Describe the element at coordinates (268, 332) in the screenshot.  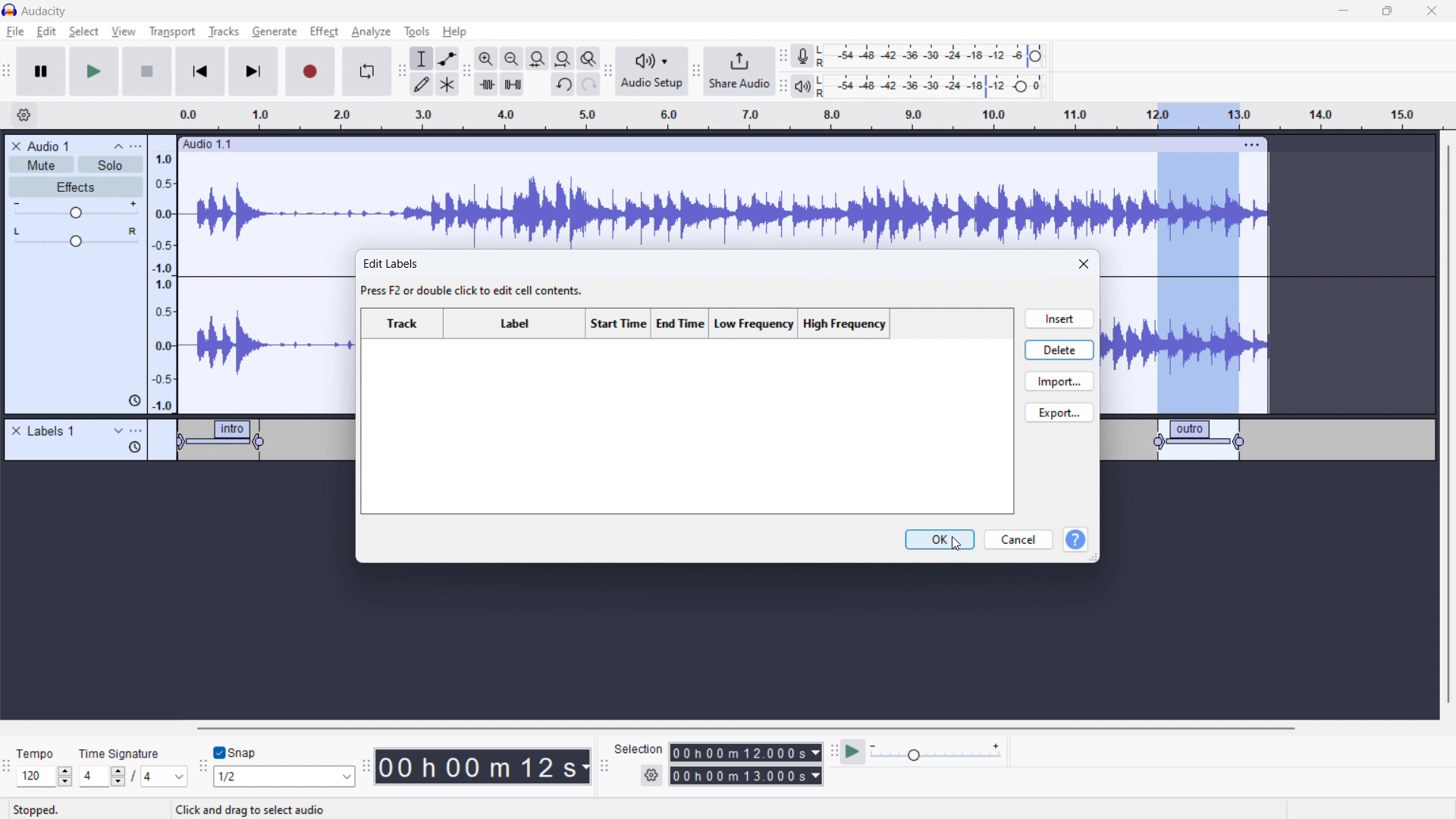
I see `audio wave` at that location.